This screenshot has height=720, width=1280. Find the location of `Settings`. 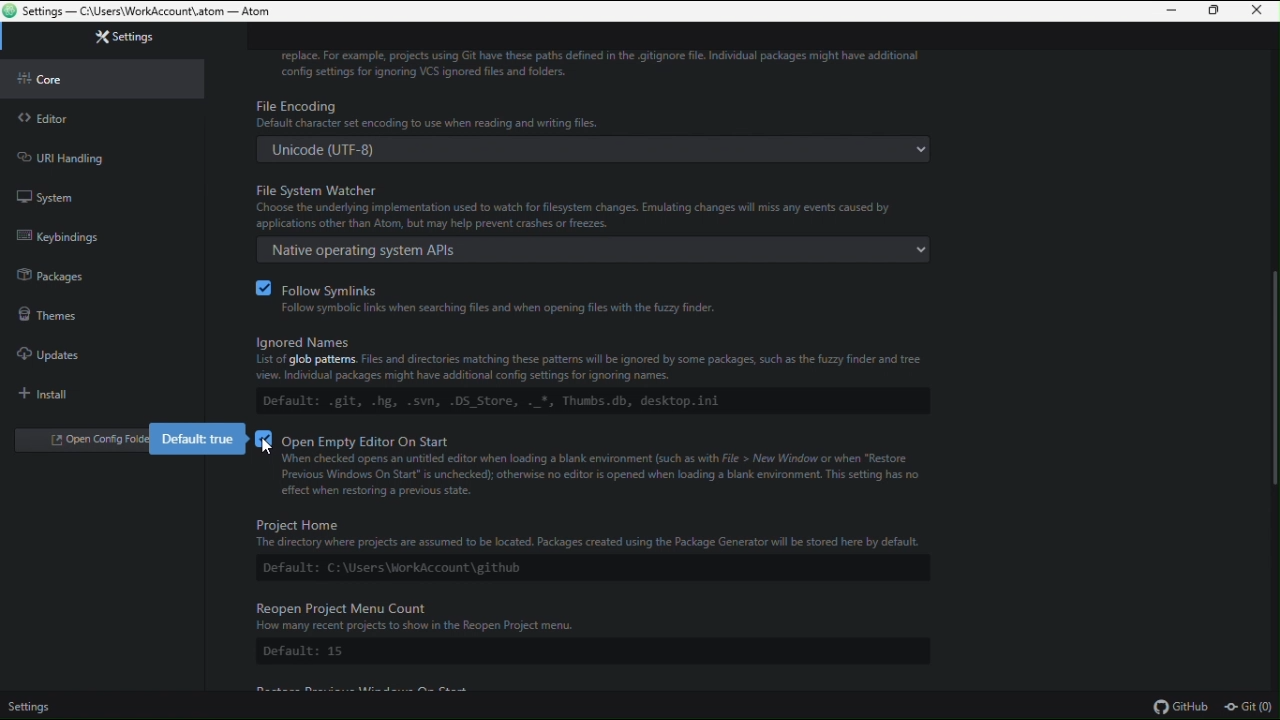

Settings is located at coordinates (33, 704).